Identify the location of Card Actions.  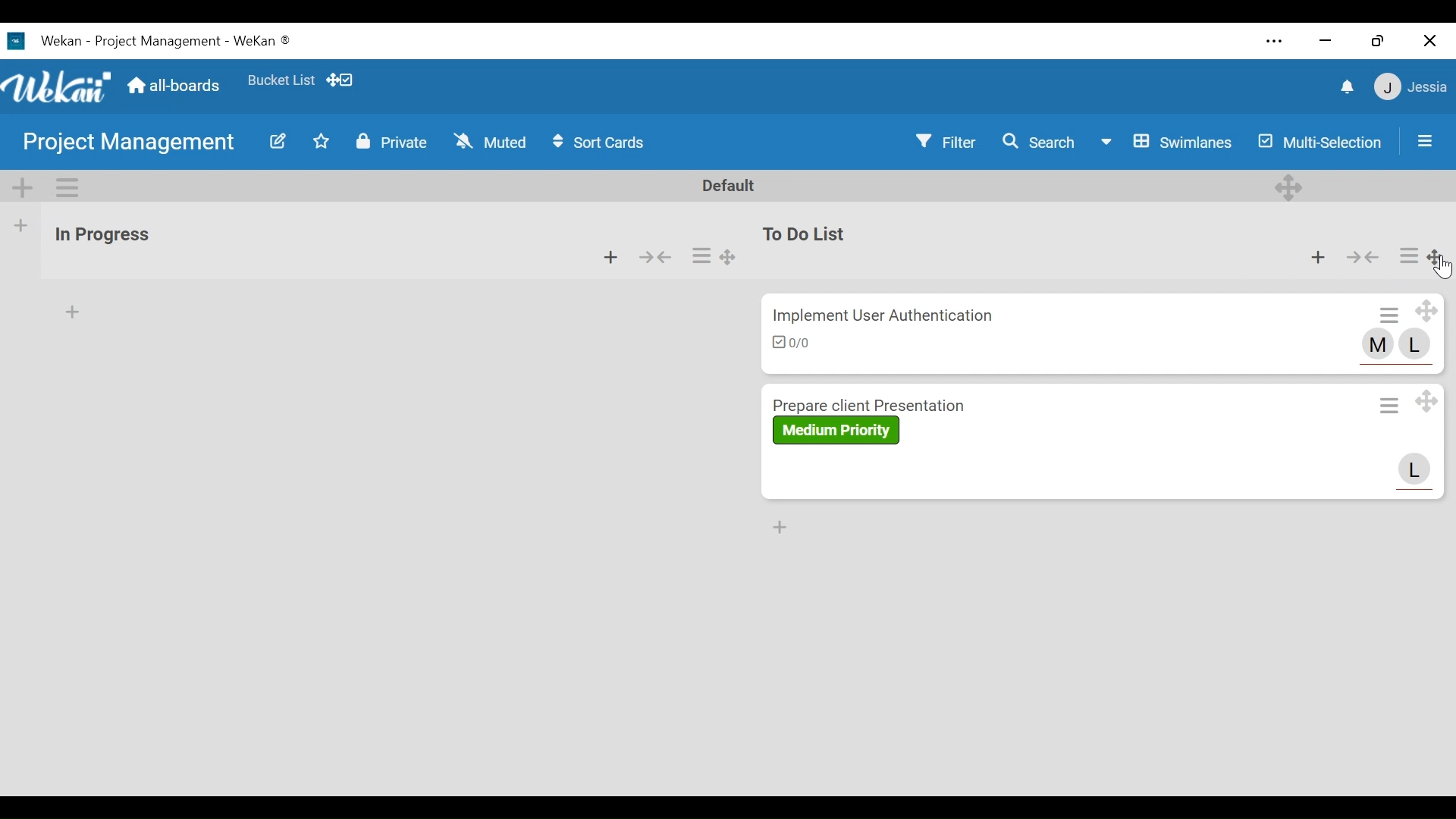
(1391, 313).